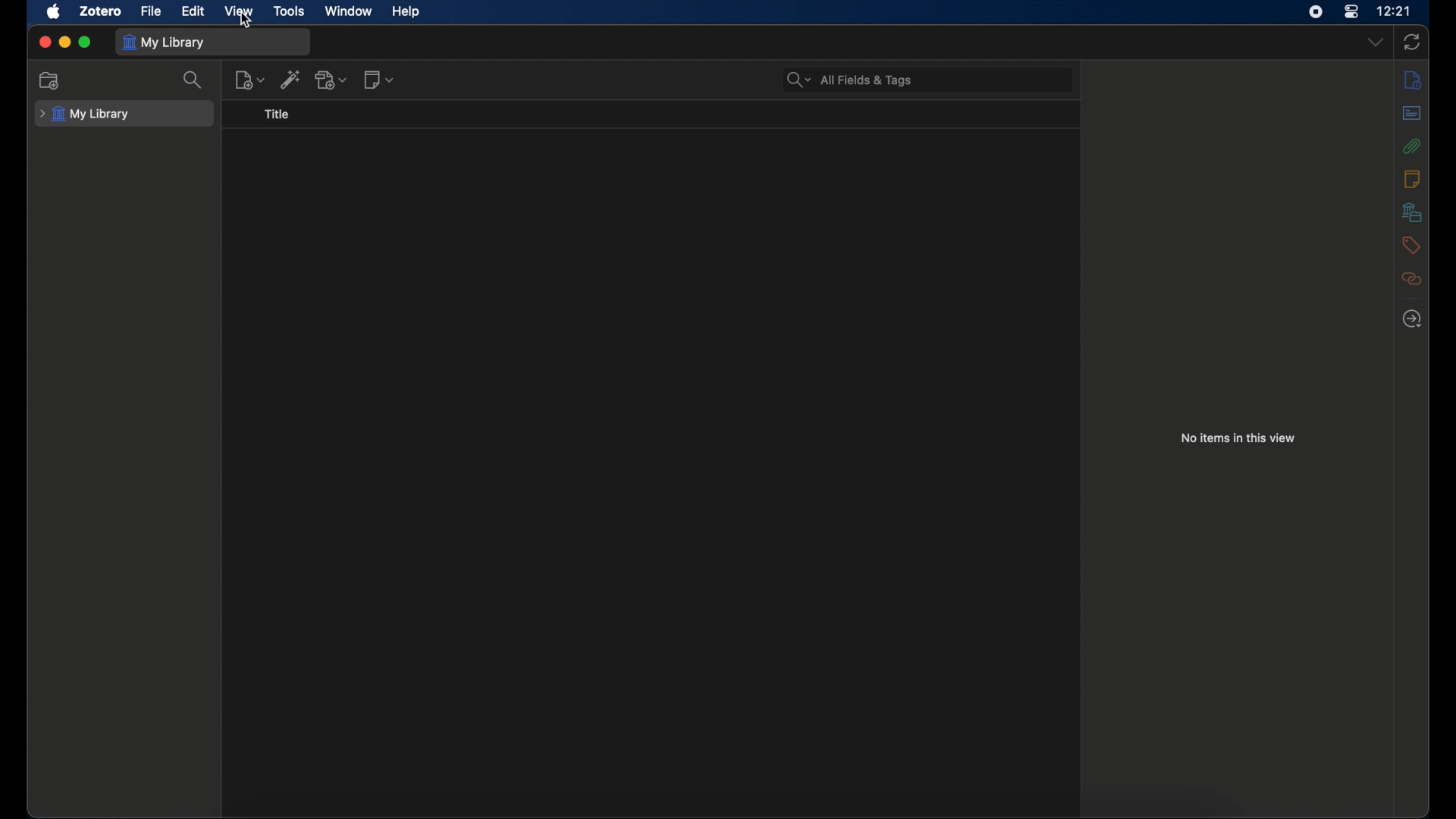  I want to click on search bar, so click(850, 80).